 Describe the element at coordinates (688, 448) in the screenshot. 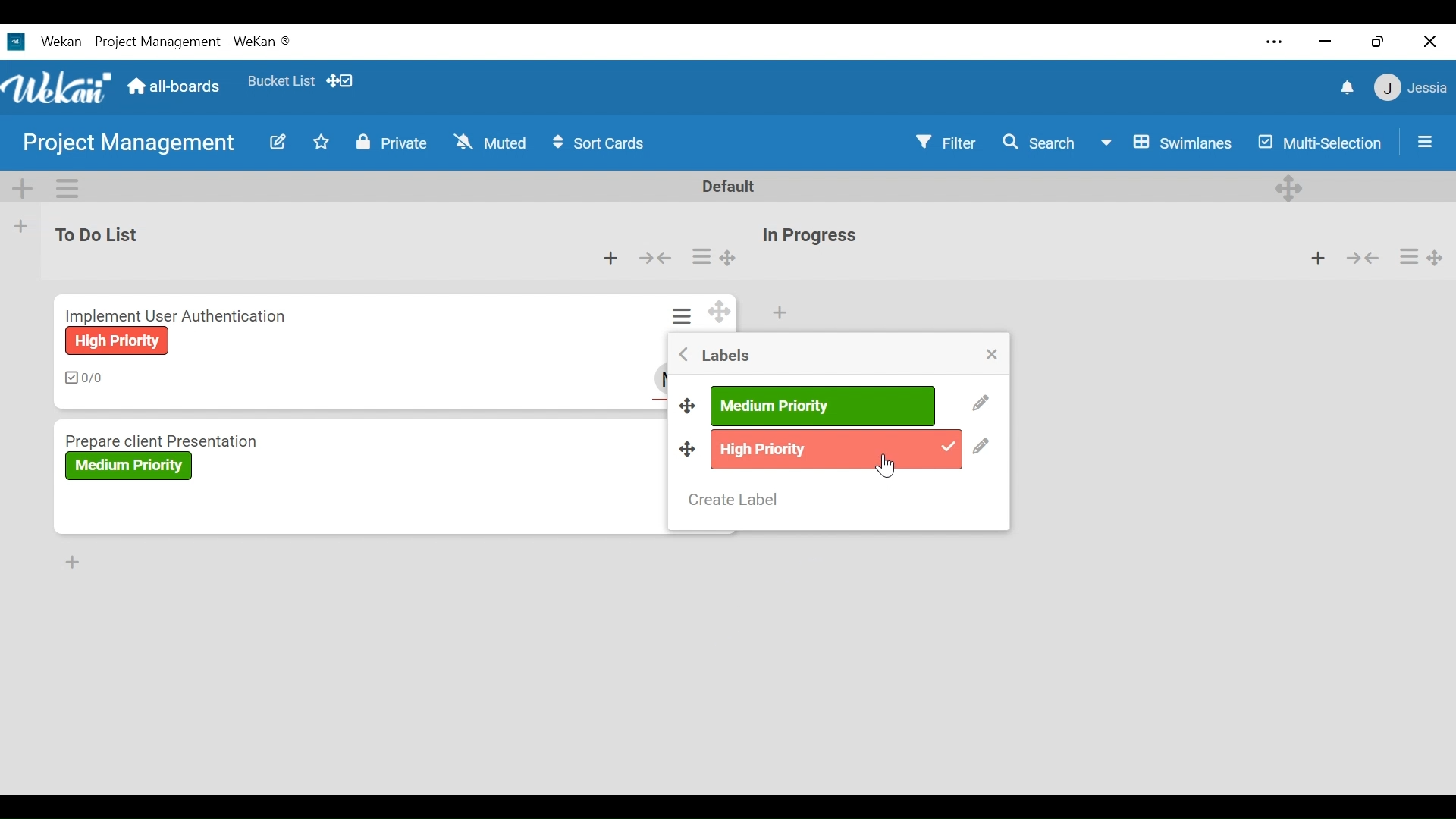

I see `Desktop drag handles` at that location.